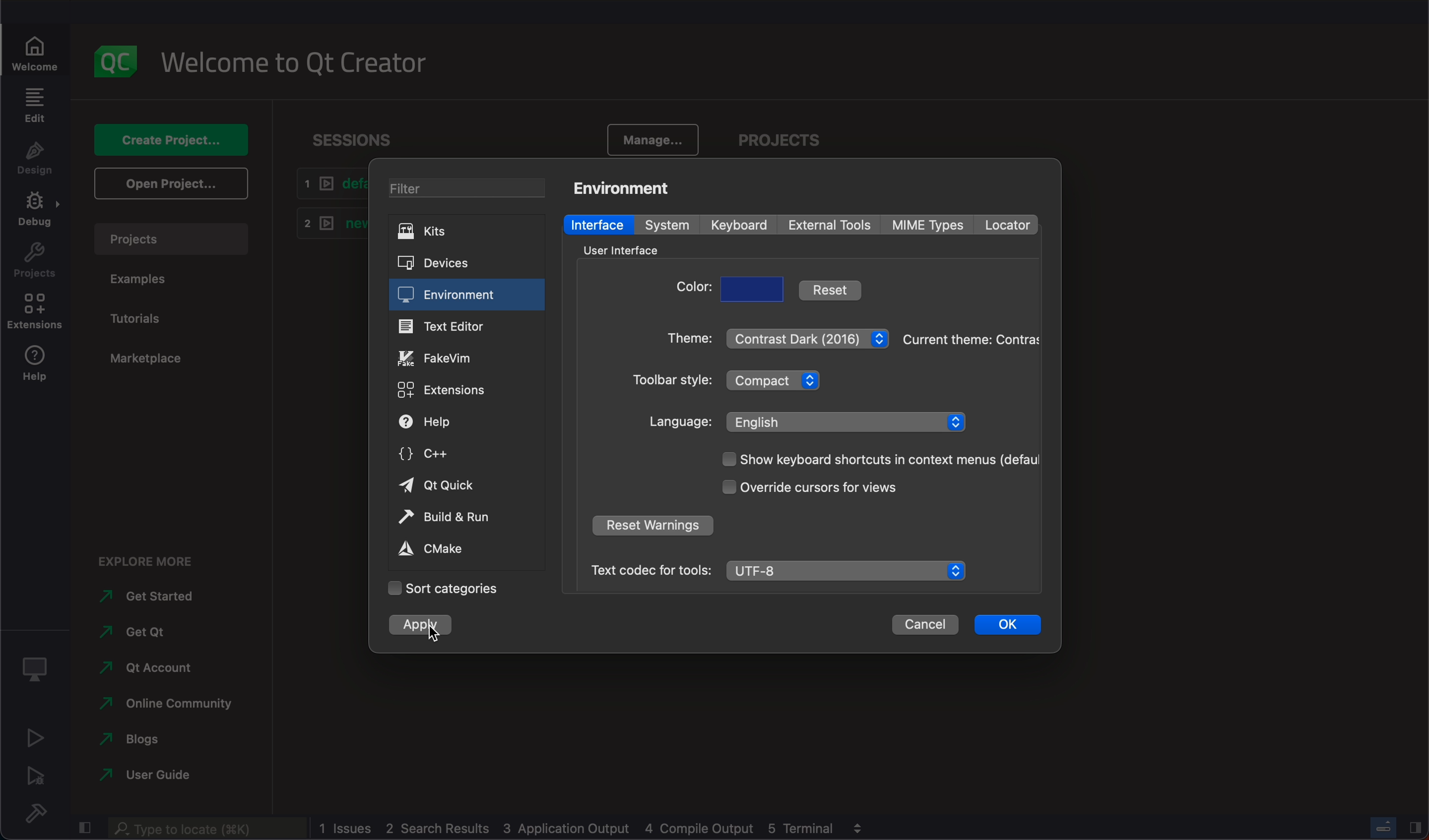  Describe the element at coordinates (34, 261) in the screenshot. I see `project` at that location.